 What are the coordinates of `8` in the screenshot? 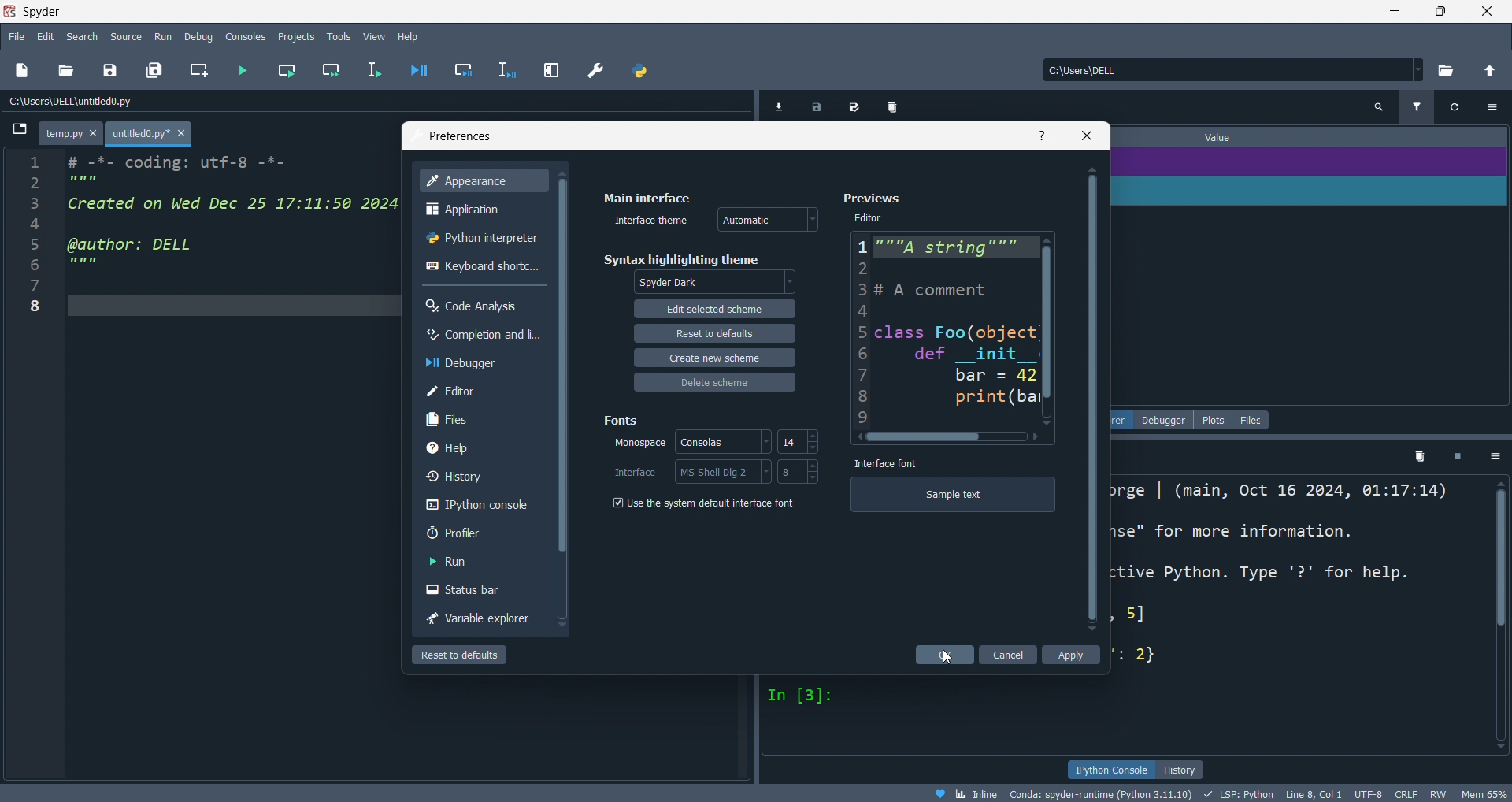 It's located at (787, 470).